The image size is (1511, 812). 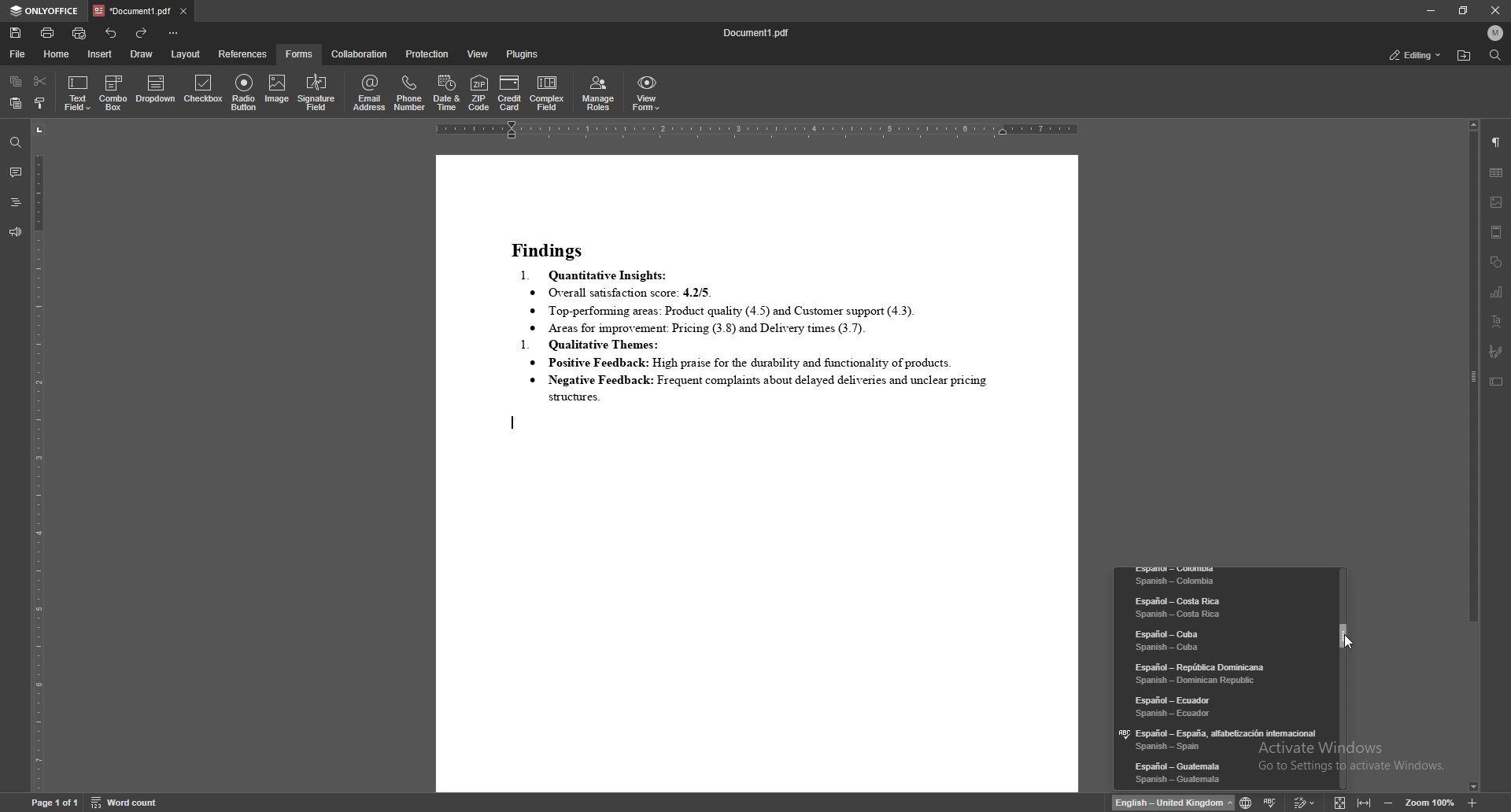 I want to click on resize, so click(x=1463, y=10).